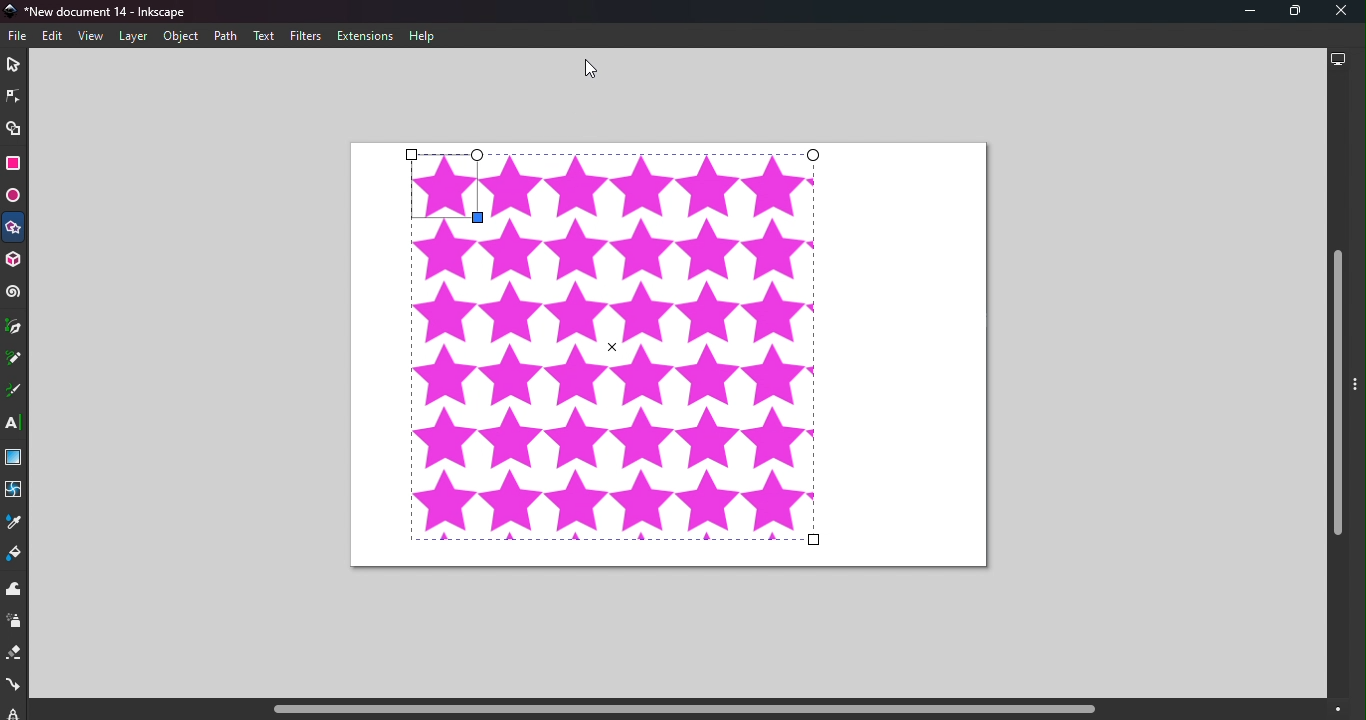 This screenshot has height=720, width=1366. I want to click on Text, so click(264, 36).